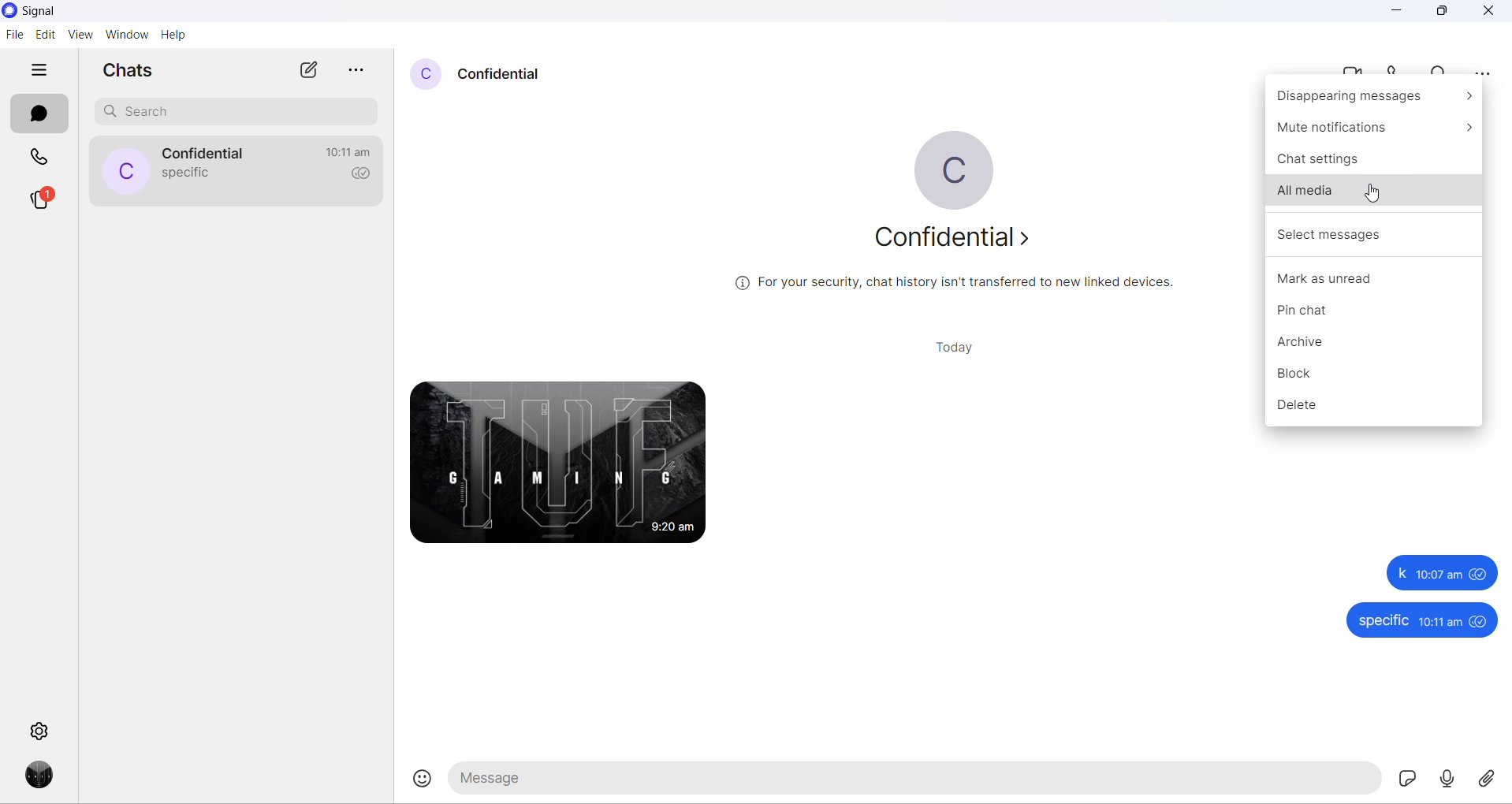 Image resolution: width=1512 pixels, height=804 pixels. Describe the element at coordinates (210, 154) in the screenshot. I see `contact name` at that location.